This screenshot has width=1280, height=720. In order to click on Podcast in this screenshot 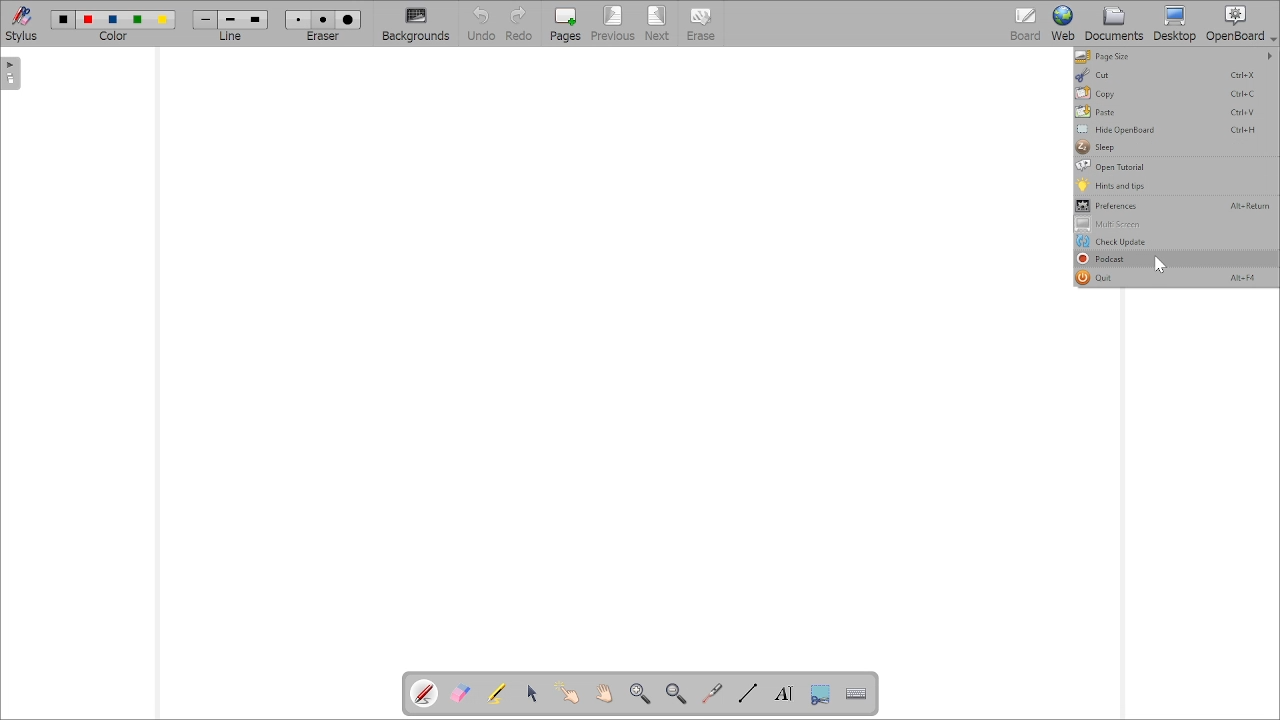, I will do `click(1161, 259)`.